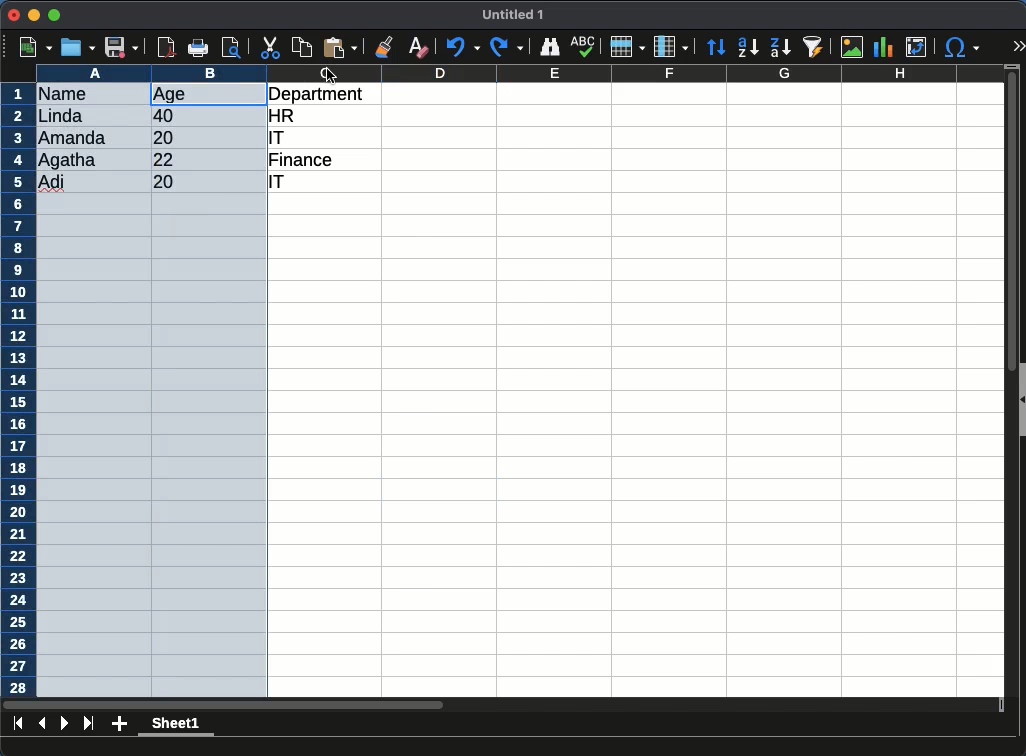 The height and width of the screenshot is (756, 1026). What do you see at coordinates (816, 47) in the screenshot?
I see `sort` at bounding box center [816, 47].